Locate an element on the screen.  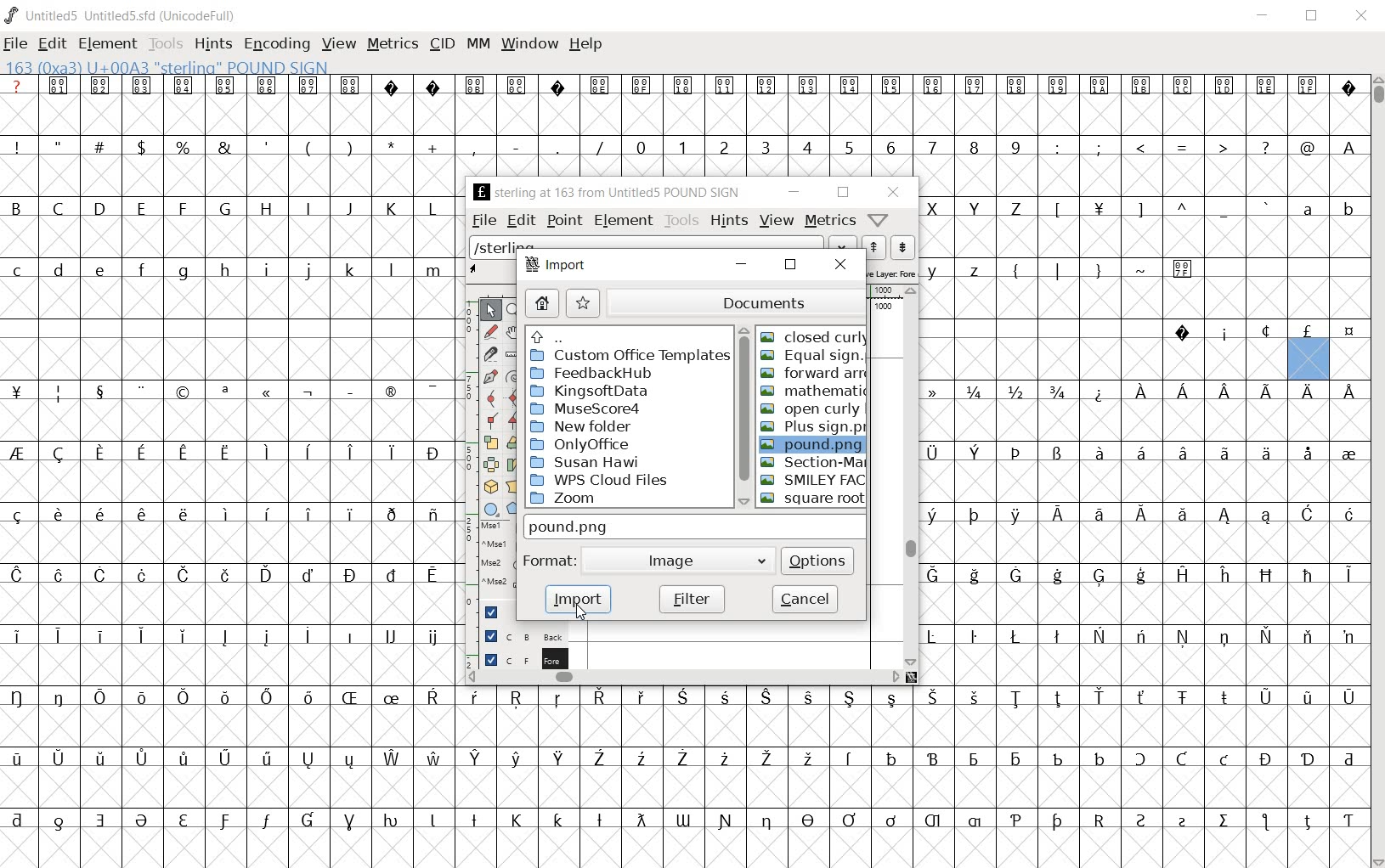
show the next word list is located at coordinates (902, 248).